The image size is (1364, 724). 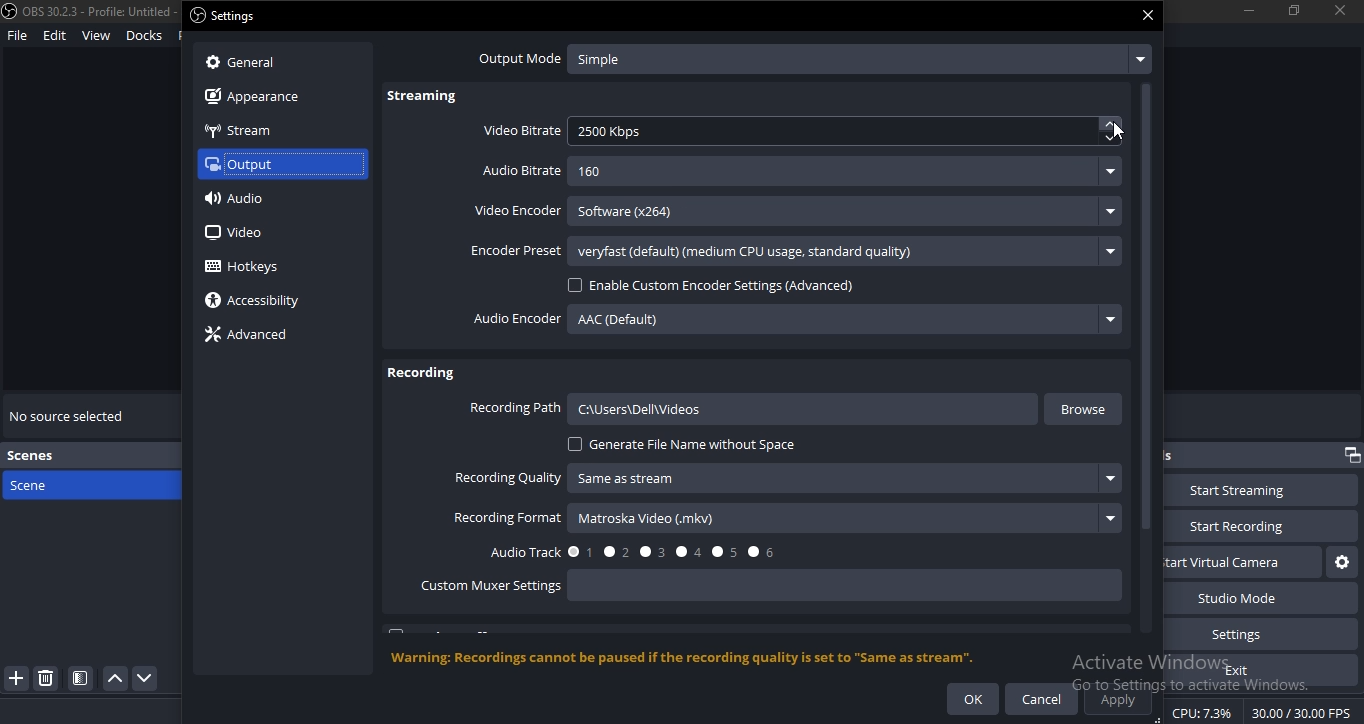 I want to click on restore, so click(x=1350, y=455).